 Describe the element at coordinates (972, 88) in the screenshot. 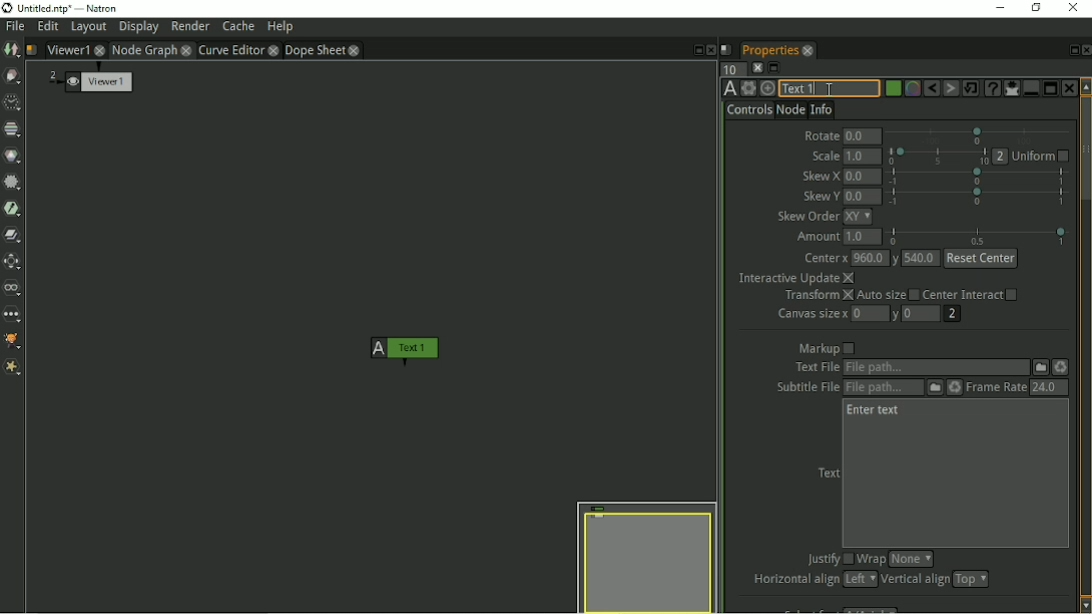

I see `Restore default values` at that location.